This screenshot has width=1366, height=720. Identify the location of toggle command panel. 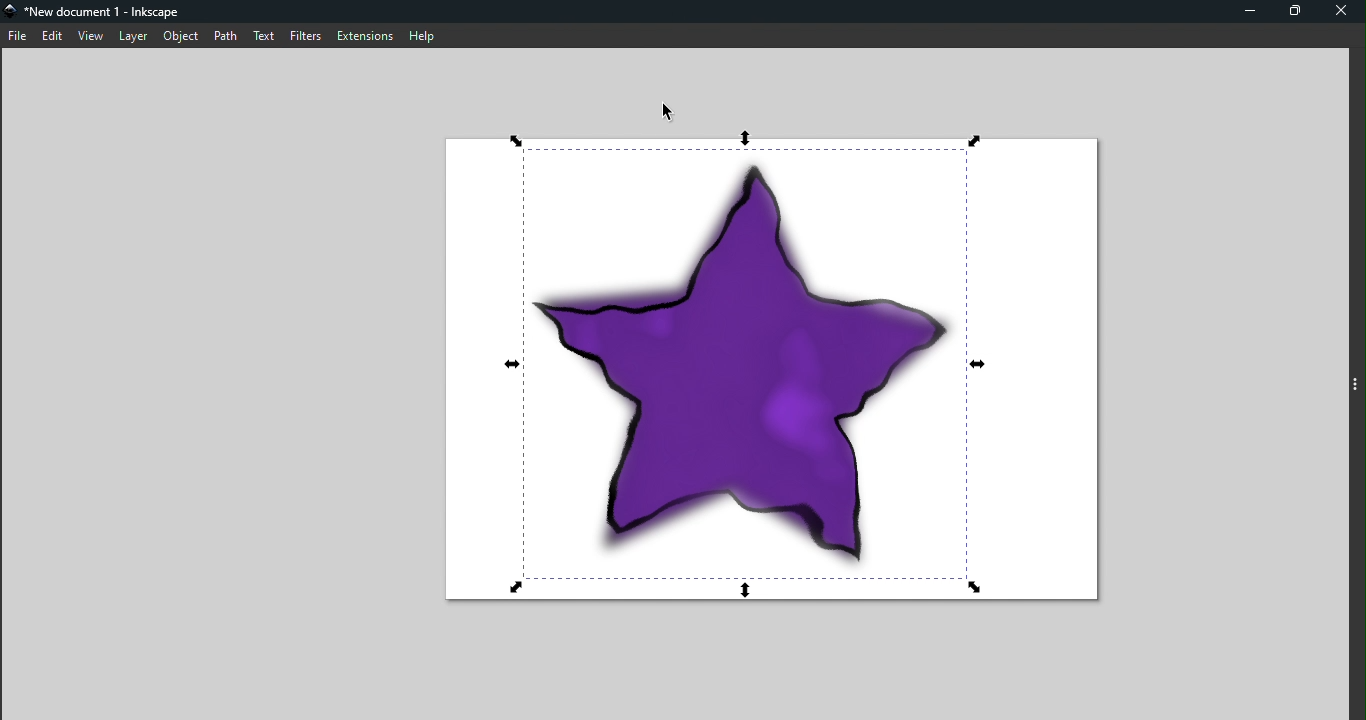
(1354, 384).